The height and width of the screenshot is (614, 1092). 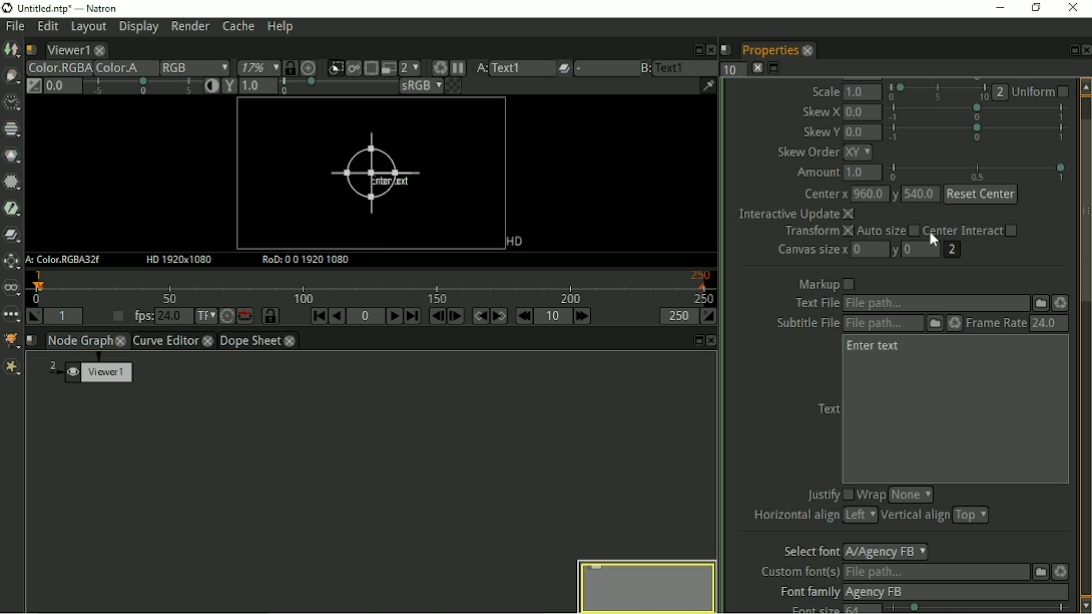 I want to click on Transform, so click(x=816, y=233).